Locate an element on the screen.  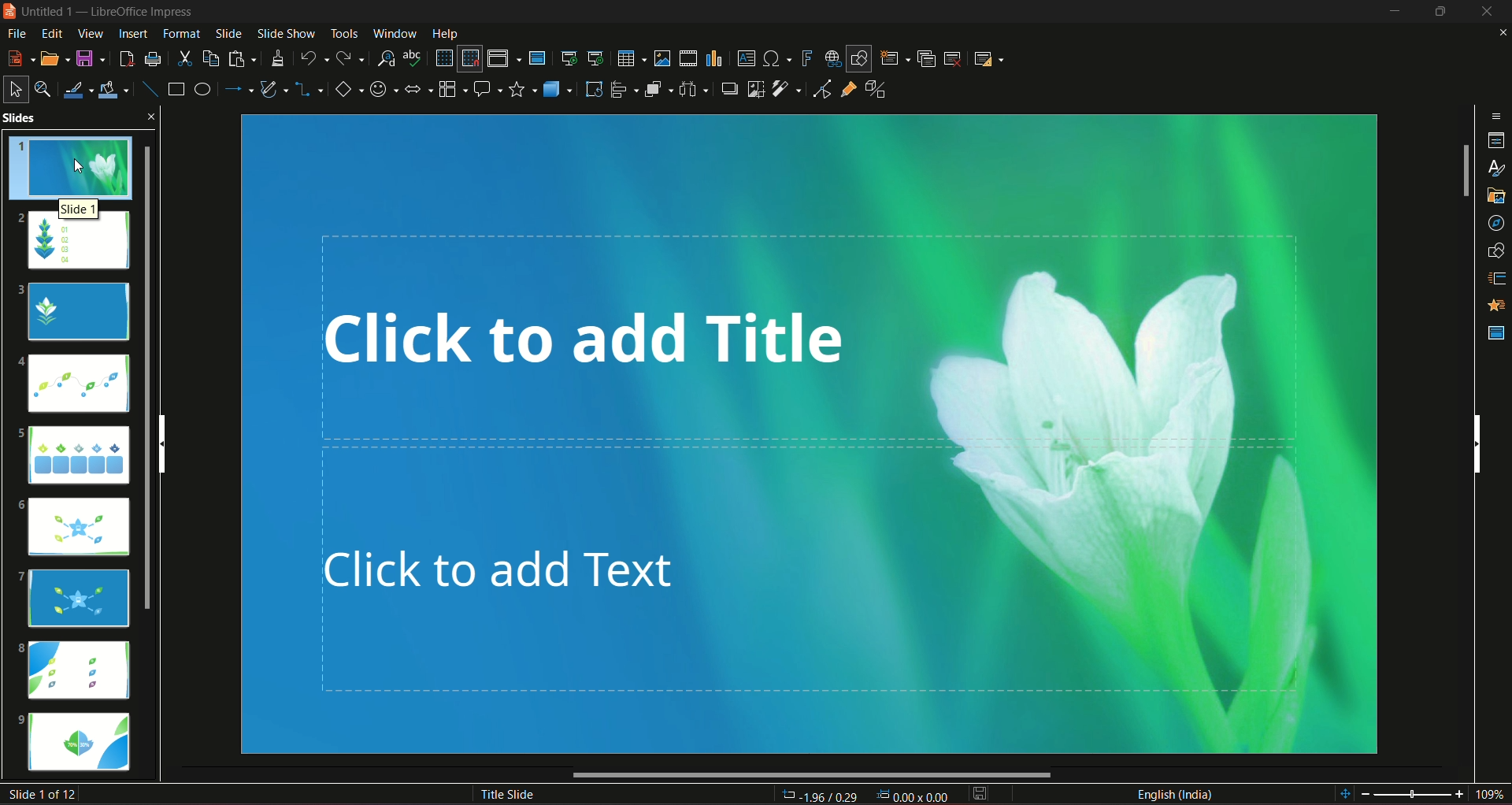
start from the first slide is located at coordinates (569, 56).